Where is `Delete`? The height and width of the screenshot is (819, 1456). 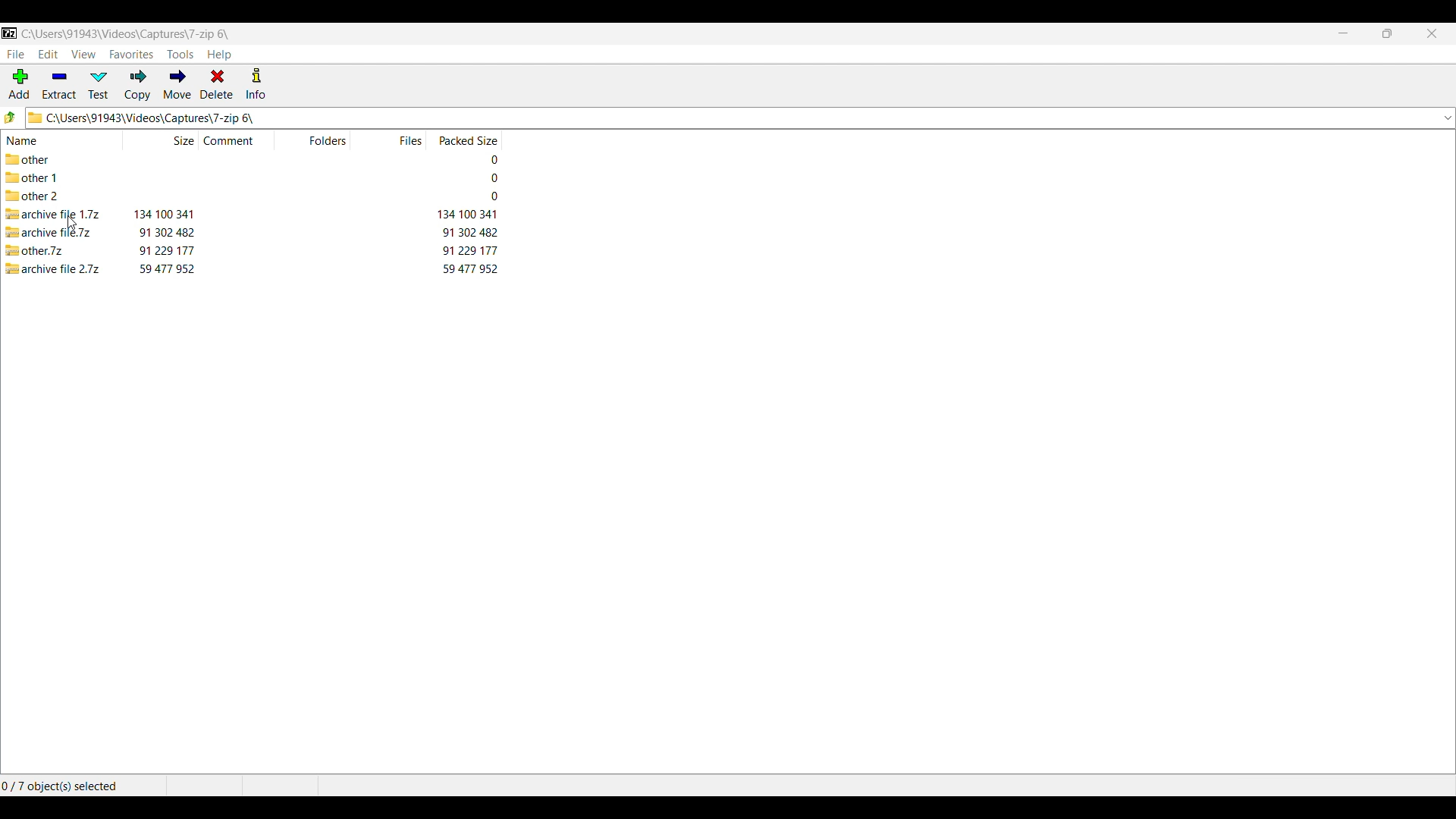 Delete is located at coordinates (217, 83).